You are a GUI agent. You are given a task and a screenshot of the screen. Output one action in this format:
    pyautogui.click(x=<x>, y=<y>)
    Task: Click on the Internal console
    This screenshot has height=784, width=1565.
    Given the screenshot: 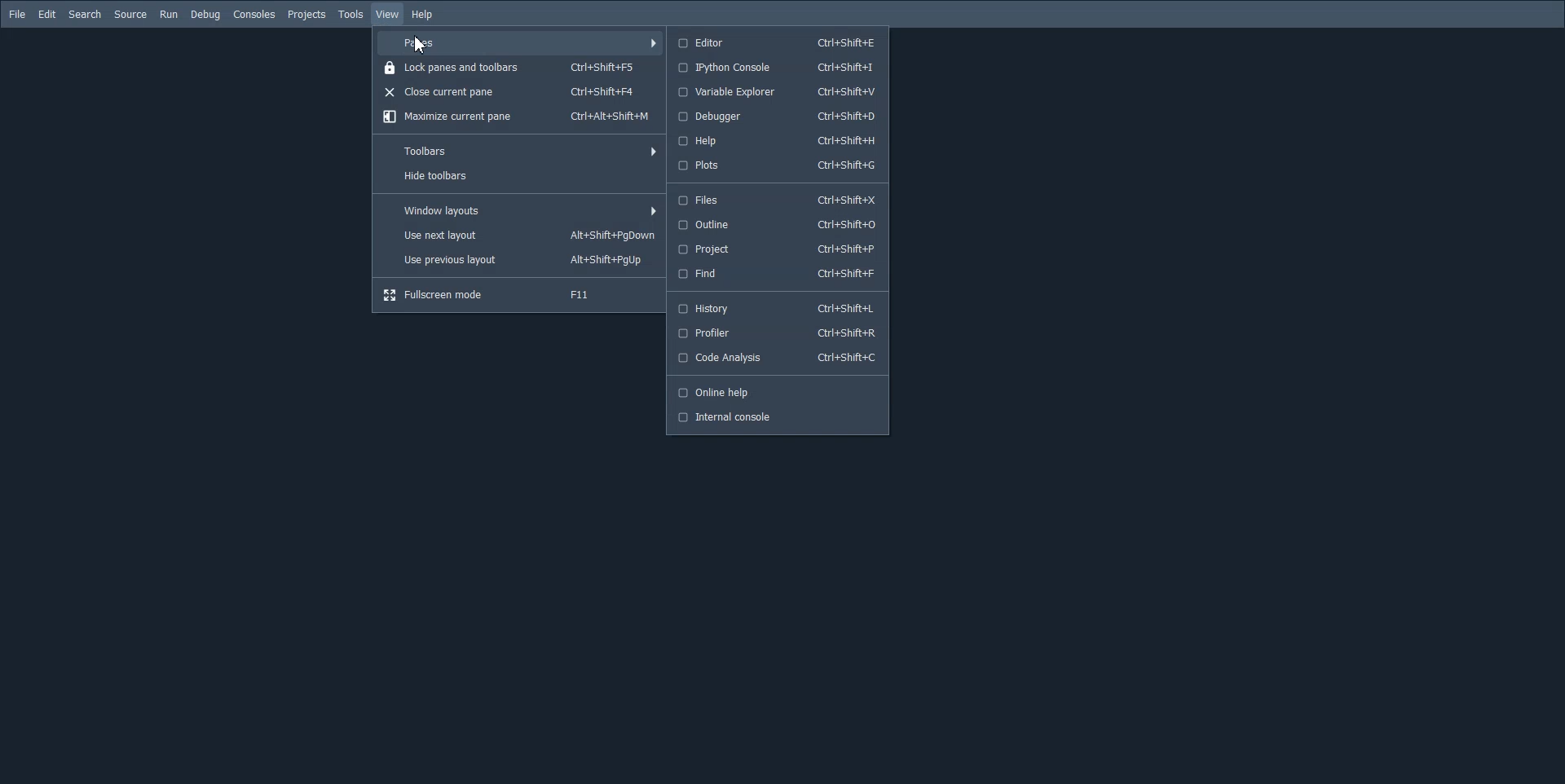 What is the action you would take?
    pyautogui.click(x=778, y=417)
    